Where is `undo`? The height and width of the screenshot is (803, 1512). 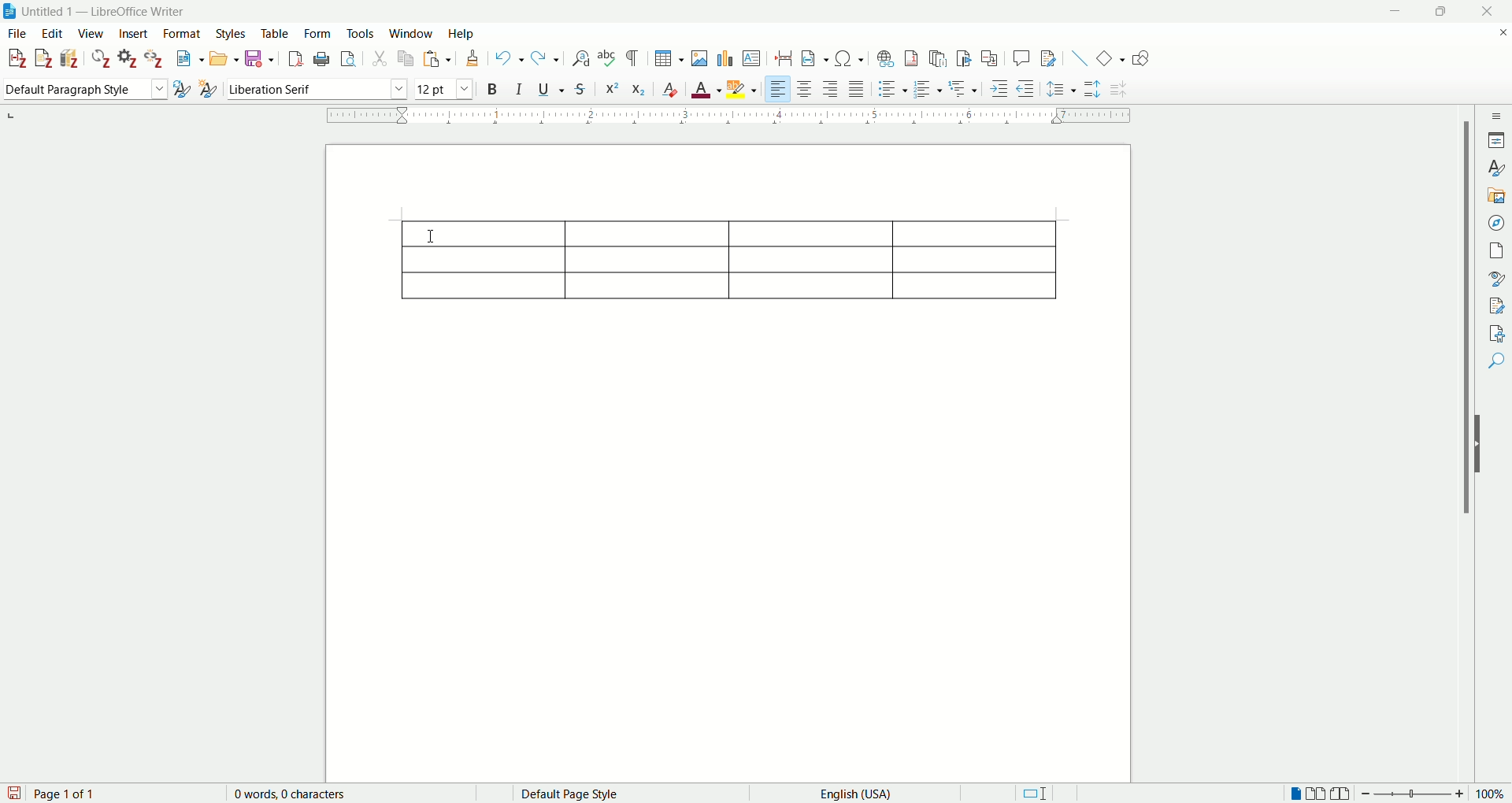 undo is located at coordinates (503, 58).